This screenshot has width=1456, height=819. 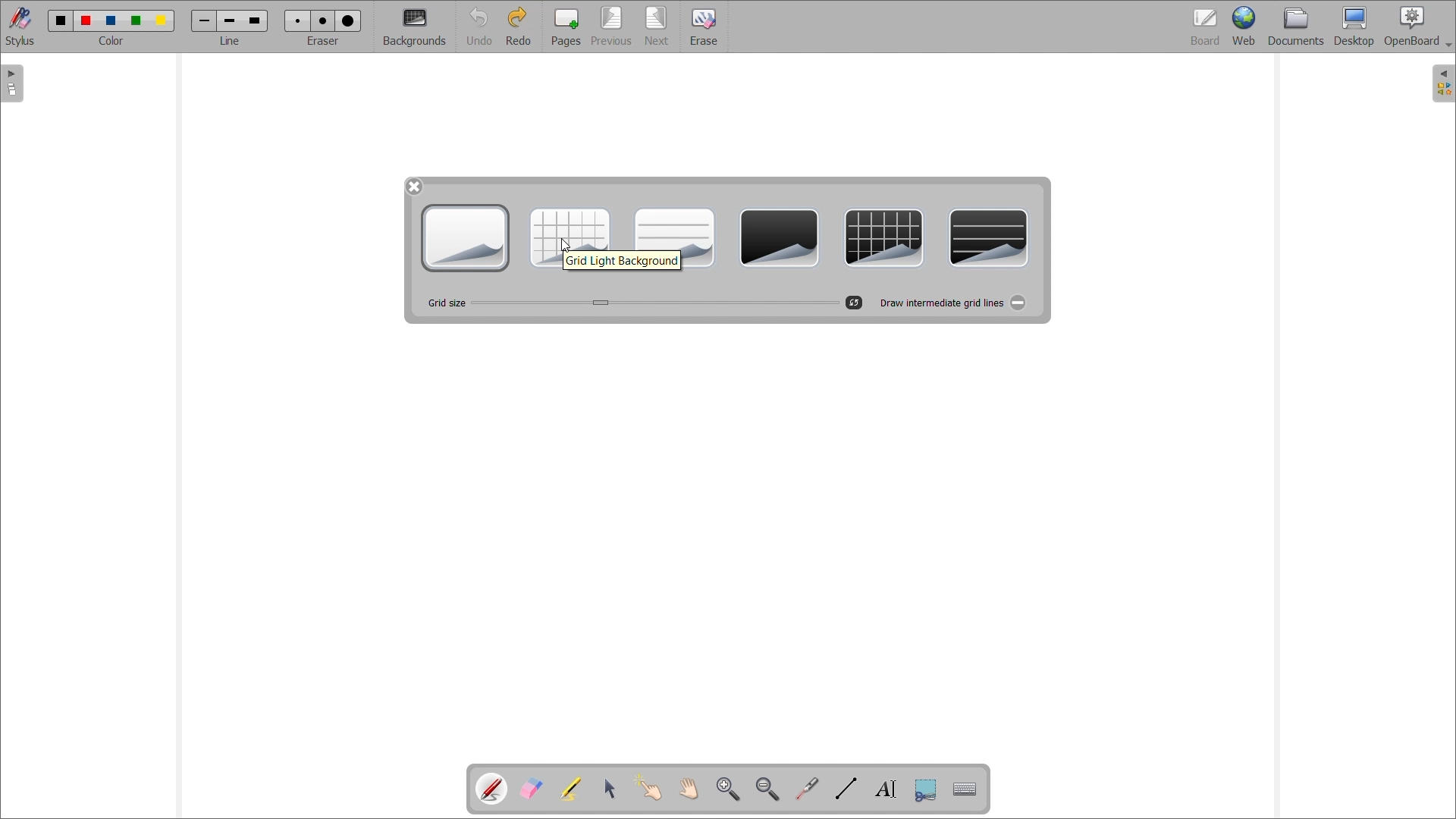 I want to click on Line thickness options to draw line, so click(x=230, y=22).